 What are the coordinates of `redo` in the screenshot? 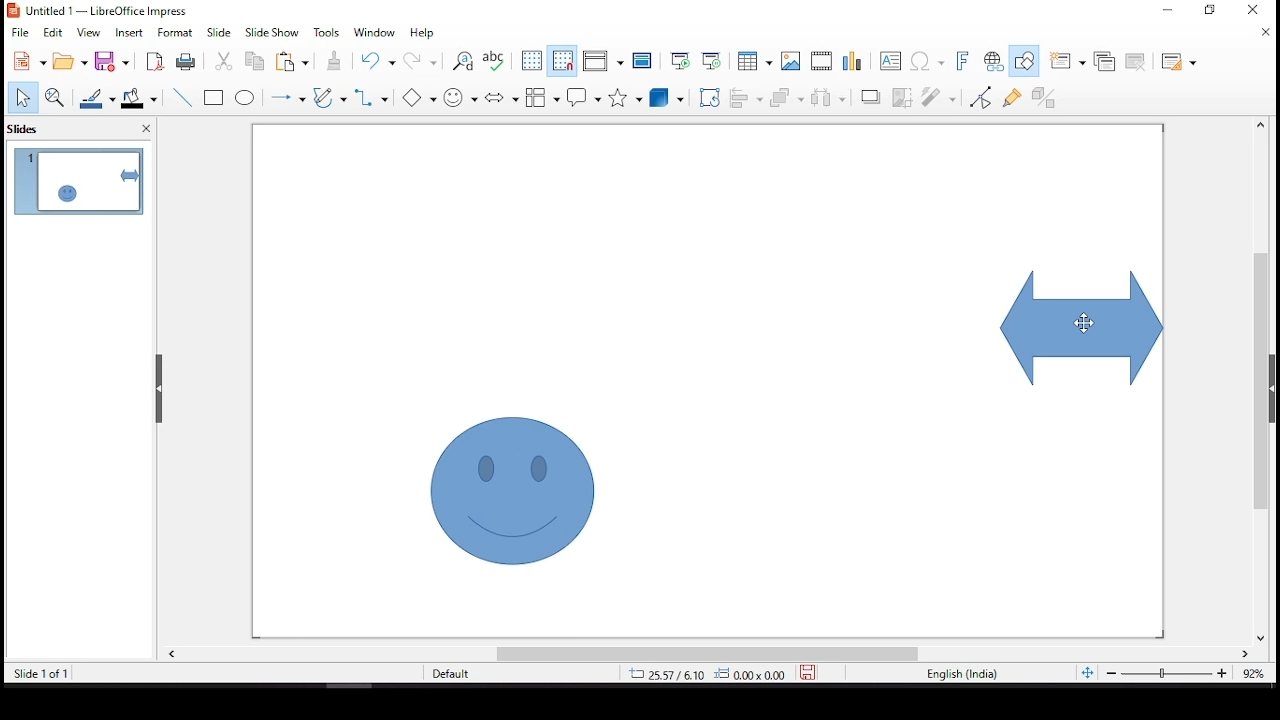 It's located at (422, 65).